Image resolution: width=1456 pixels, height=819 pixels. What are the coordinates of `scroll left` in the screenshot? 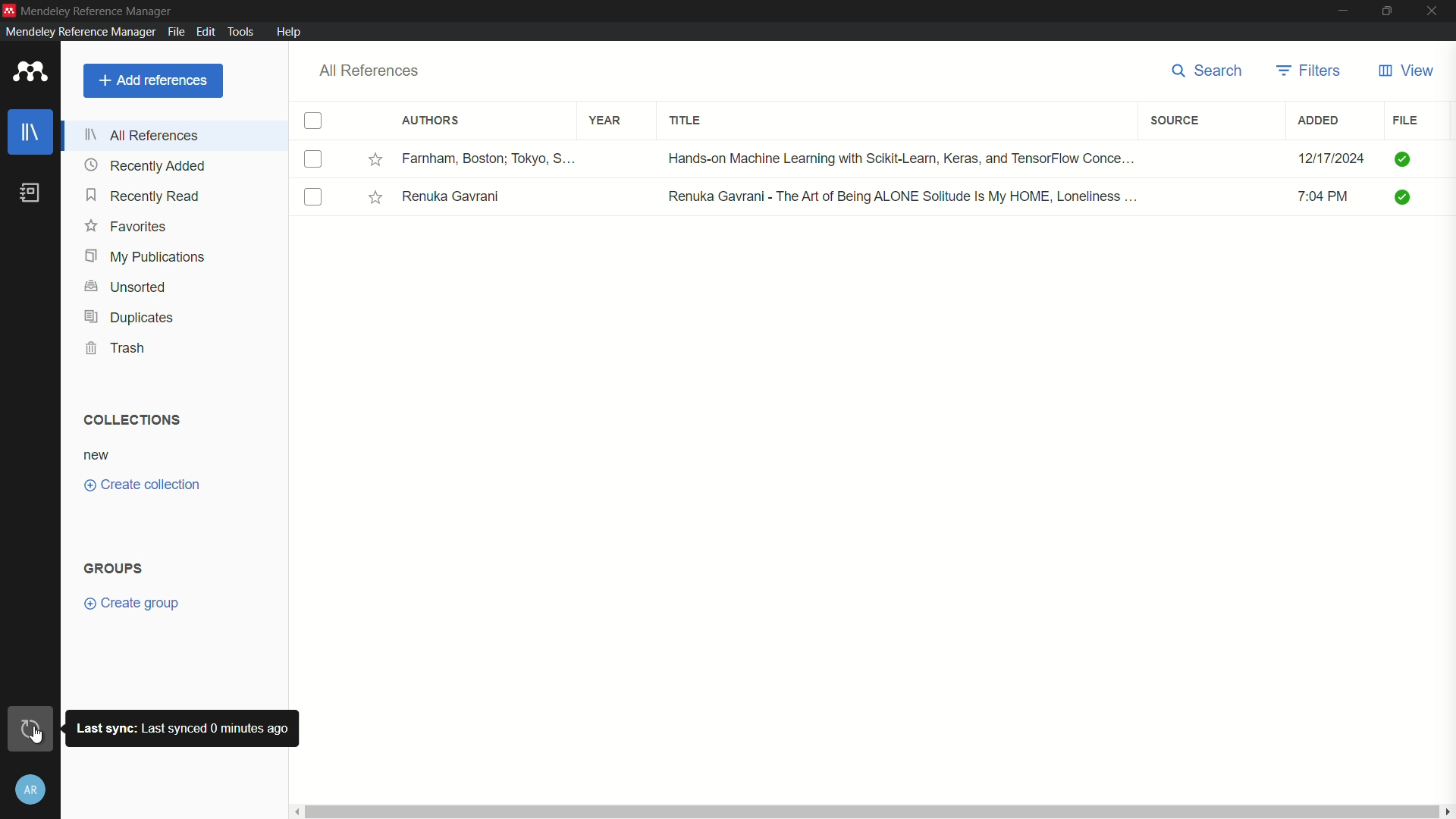 It's located at (294, 812).